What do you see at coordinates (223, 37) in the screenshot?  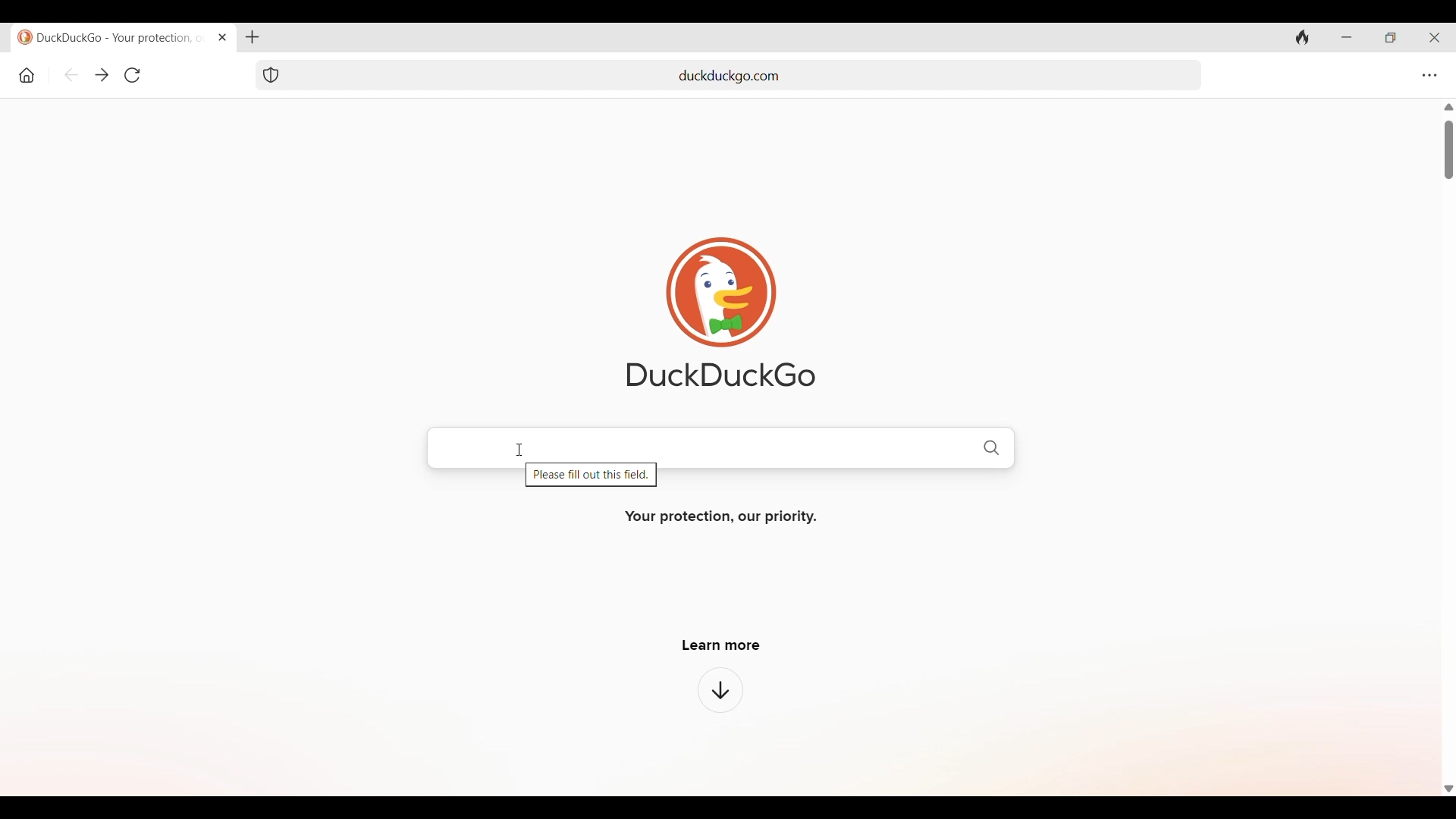 I see `Close tab` at bounding box center [223, 37].